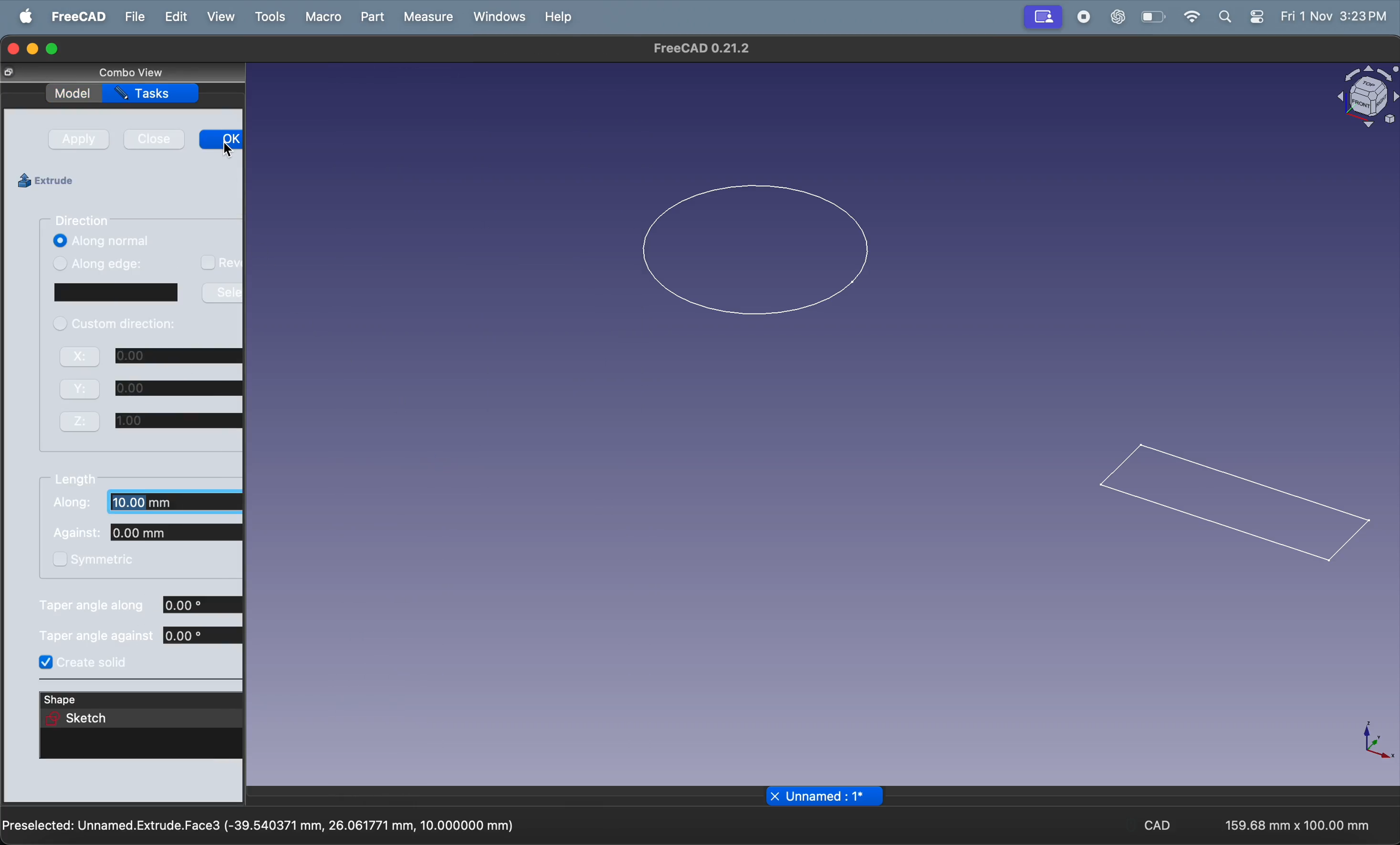 This screenshot has width=1400, height=845. I want to click on 1.00, so click(181, 421).